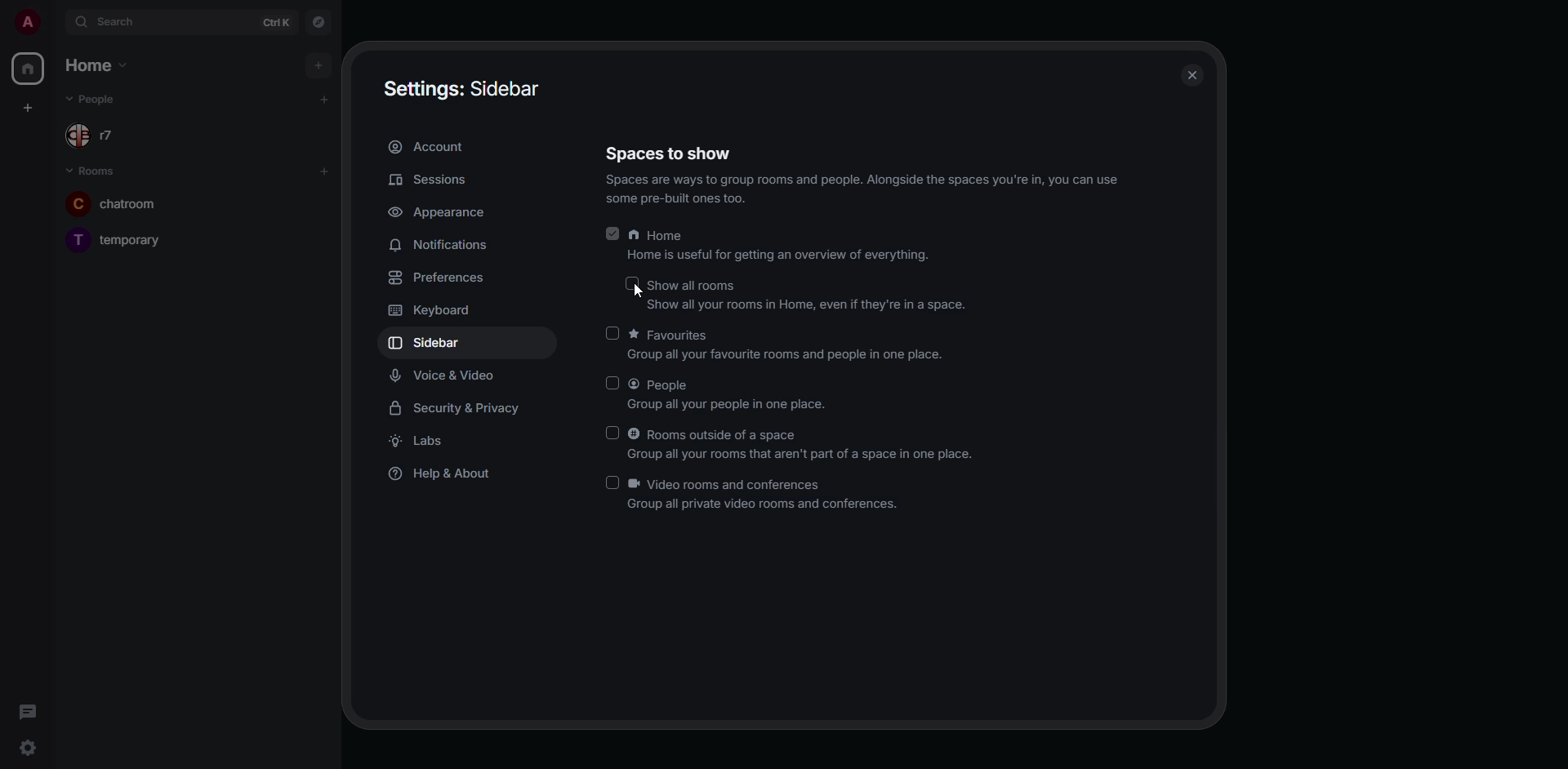 This screenshot has height=769, width=1568. What do you see at coordinates (467, 87) in the screenshot?
I see `settings sidebar` at bounding box center [467, 87].